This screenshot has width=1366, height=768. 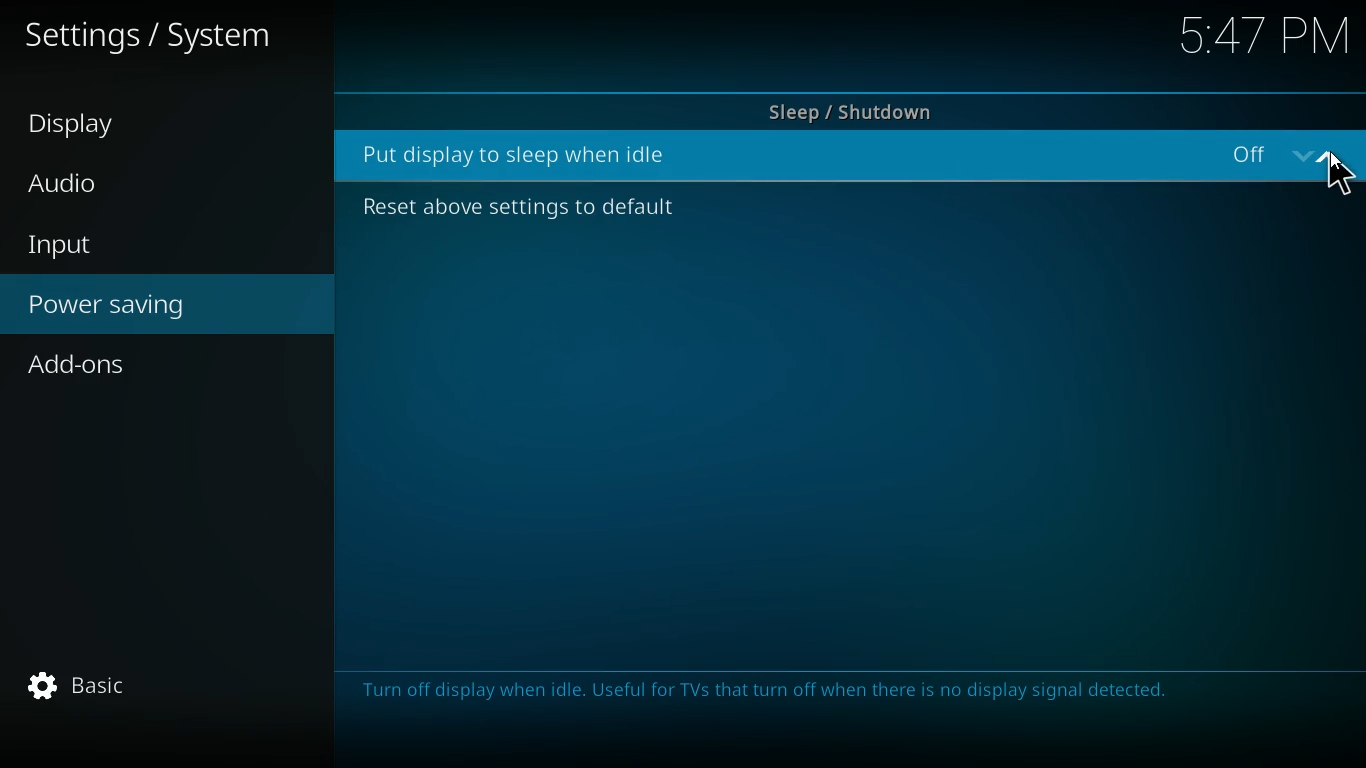 I want to click on time, so click(x=1260, y=39).